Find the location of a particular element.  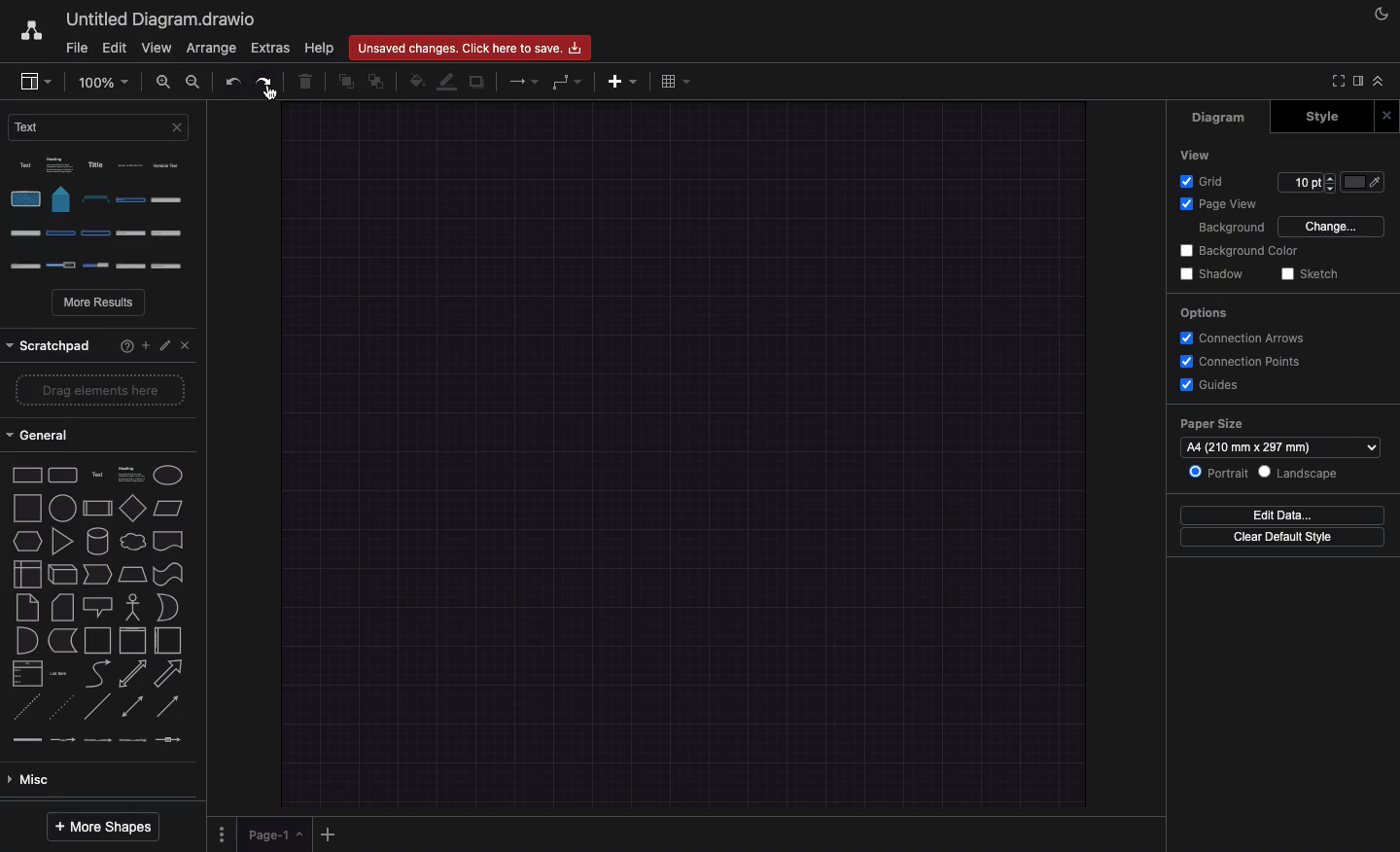

Draw.io is located at coordinates (30, 30).